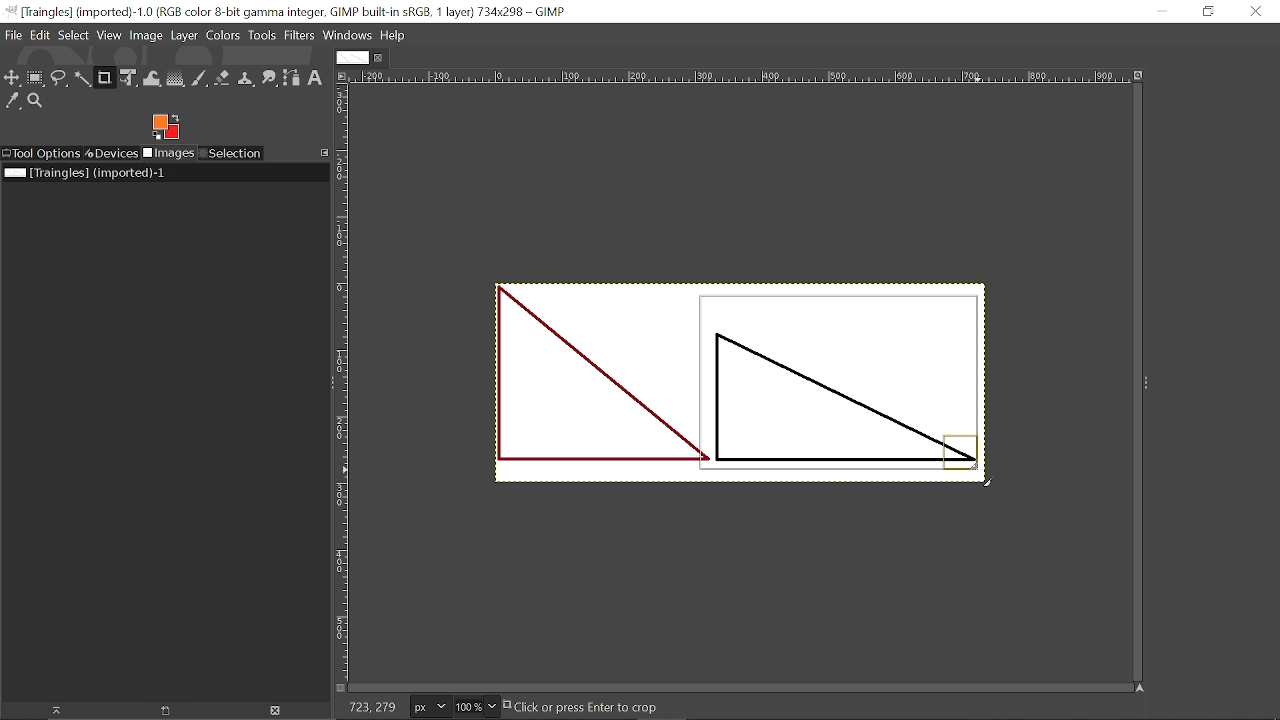 This screenshot has height=720, width=1280. Describe the element at coordinates (1141, 688) in the screenshot. I see `Navigate the image display` at that location.